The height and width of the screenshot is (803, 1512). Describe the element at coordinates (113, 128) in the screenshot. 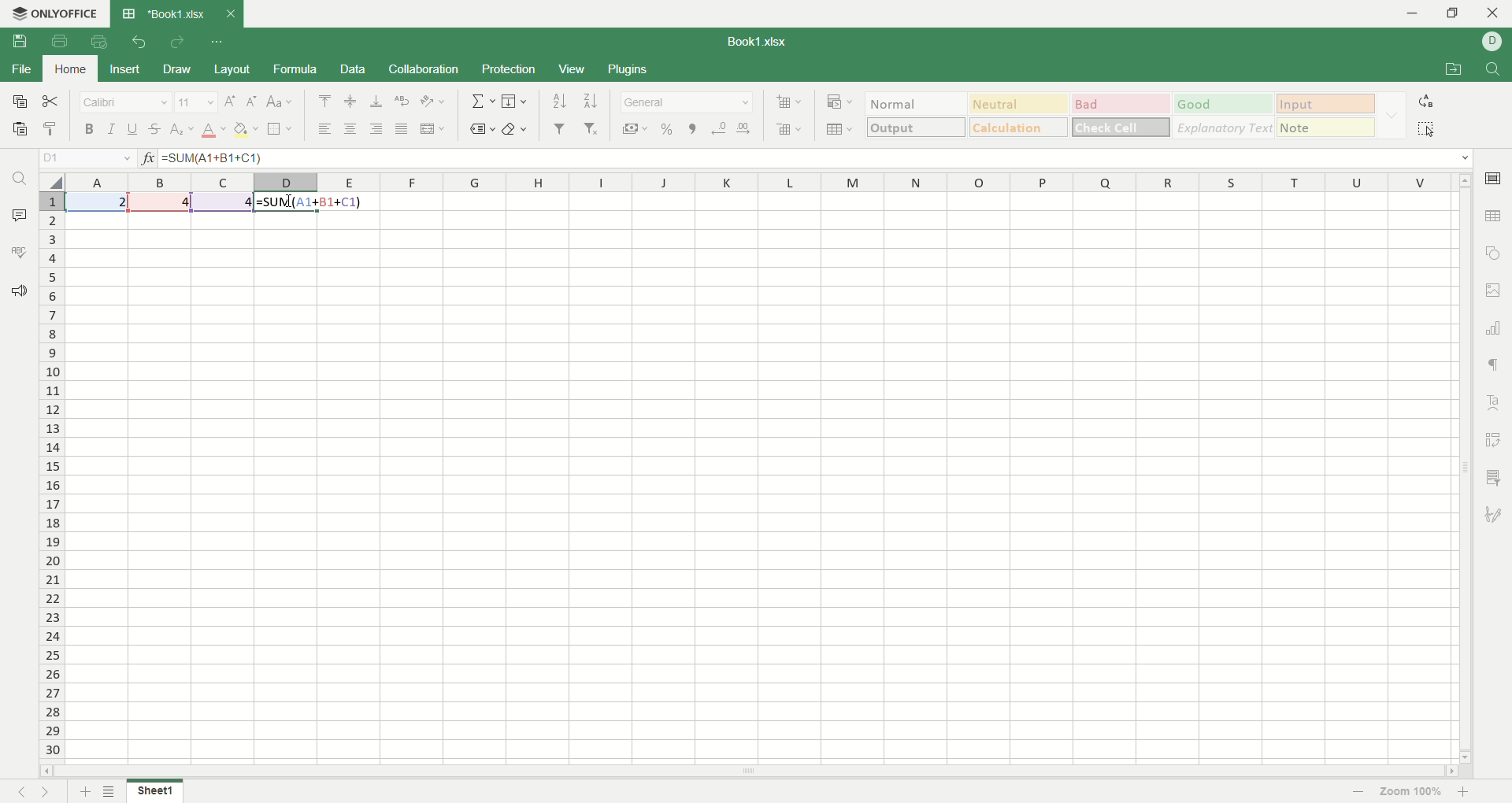

I see `italics` at that location.